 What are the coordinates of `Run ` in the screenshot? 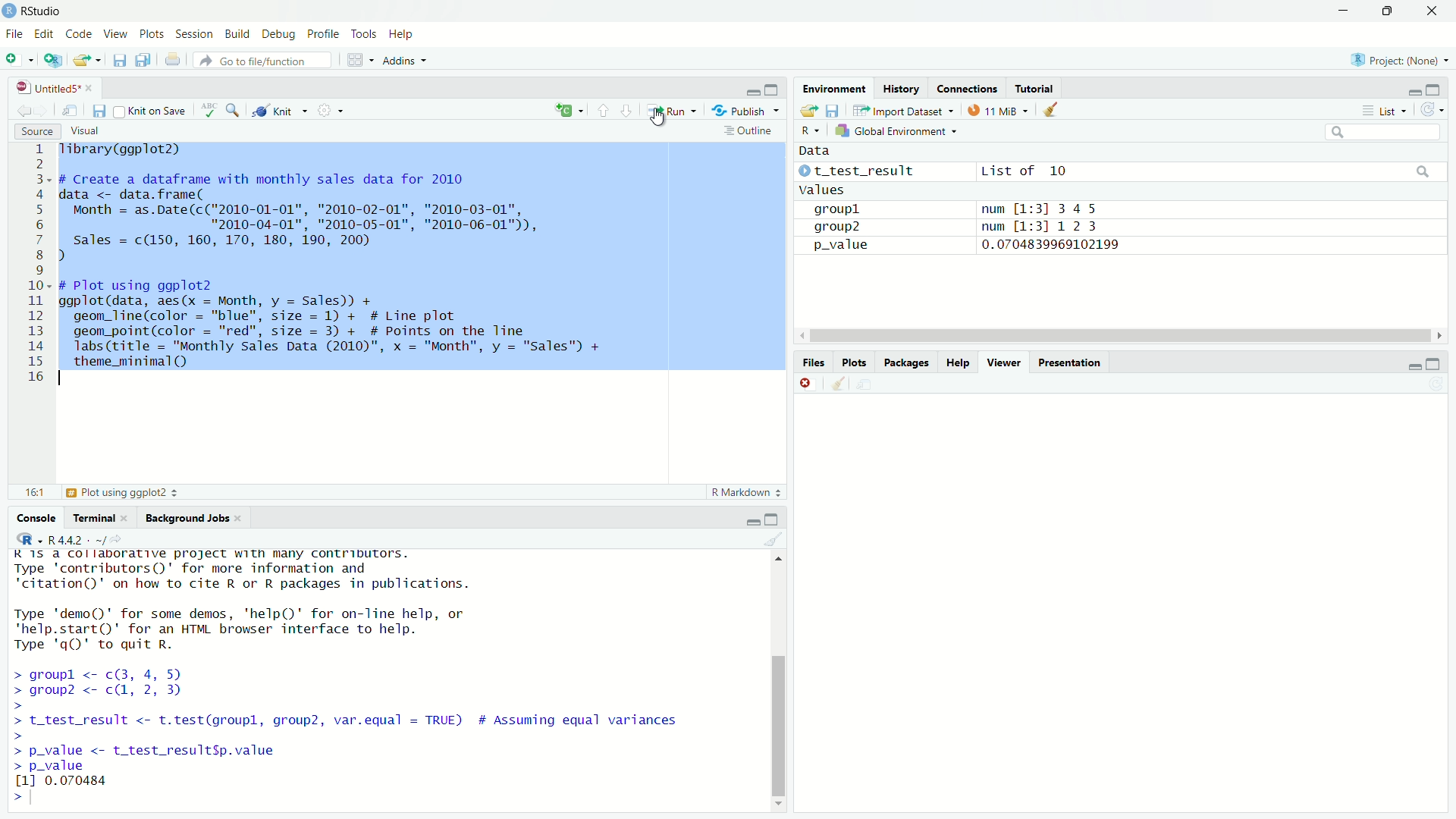 It's located at (673, 111).